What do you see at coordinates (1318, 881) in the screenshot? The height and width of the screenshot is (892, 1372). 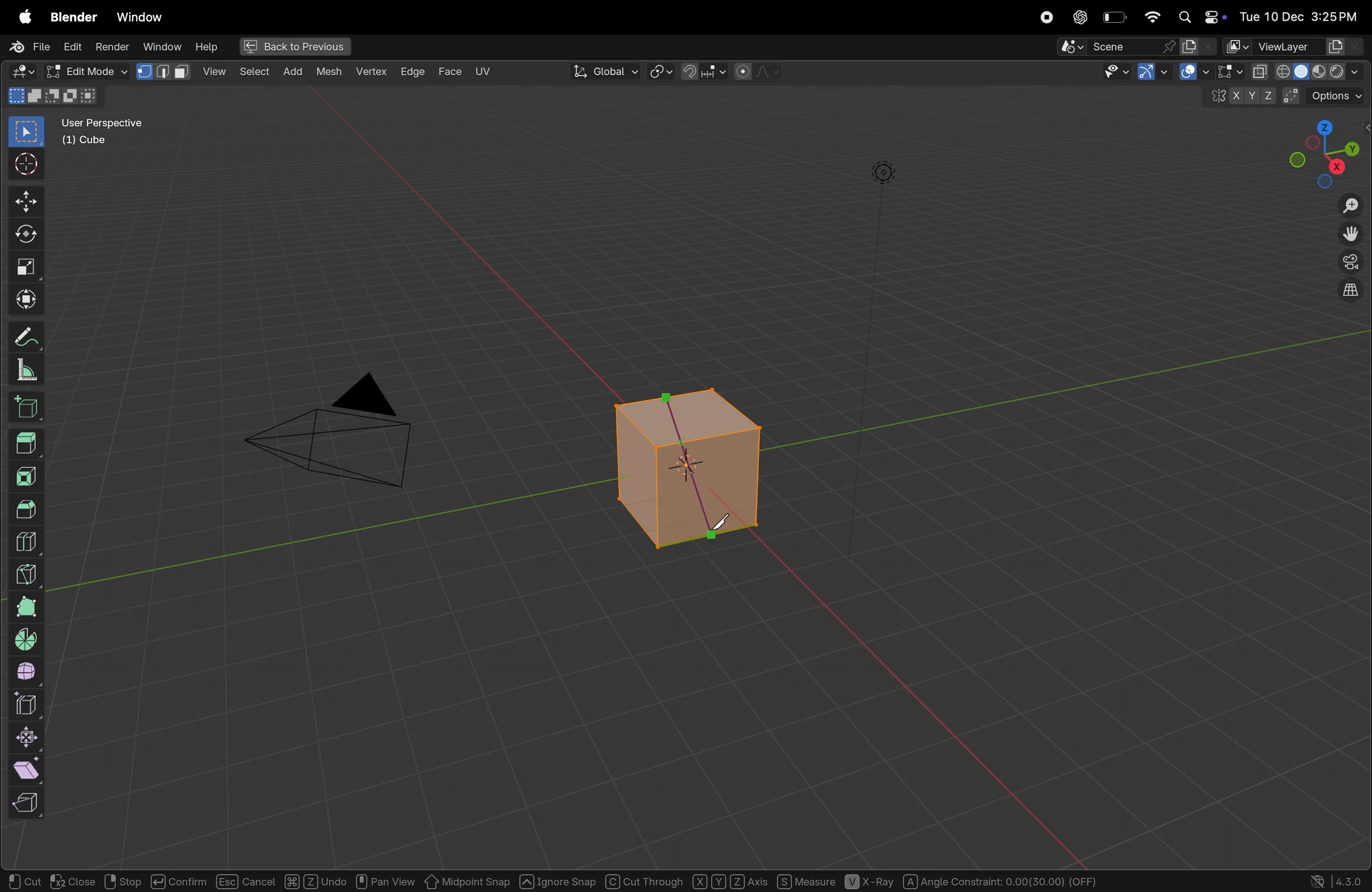 I see `Show system preferences  "Network" panel to allow online access` at bounding box center [1318, 881].